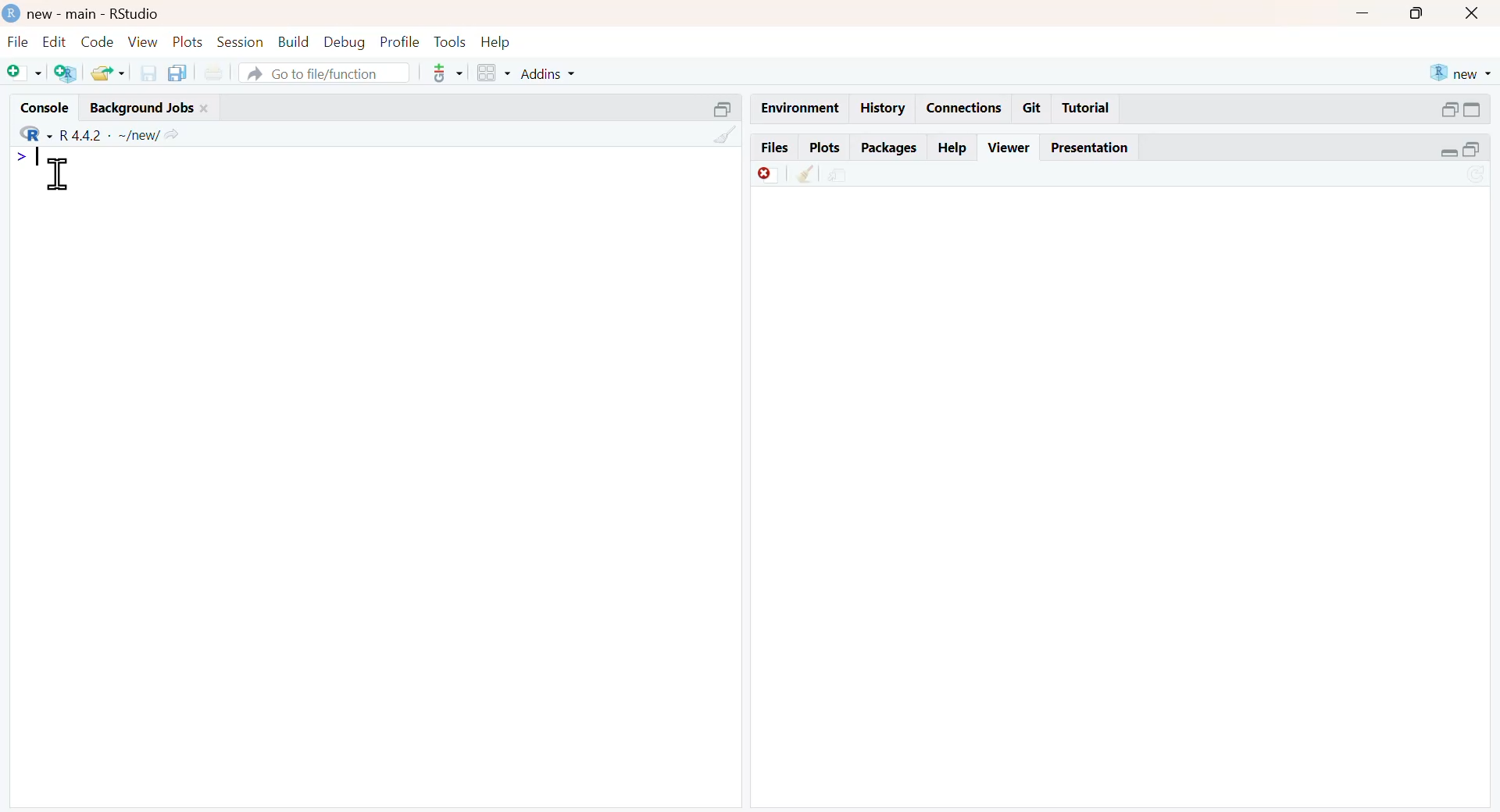 Image resolution: width=1500 pixels, height=812 pixels. What do you see at coordinates (449, 73) in the screenshot?
I see `tools` at bounding box center [449, 73].